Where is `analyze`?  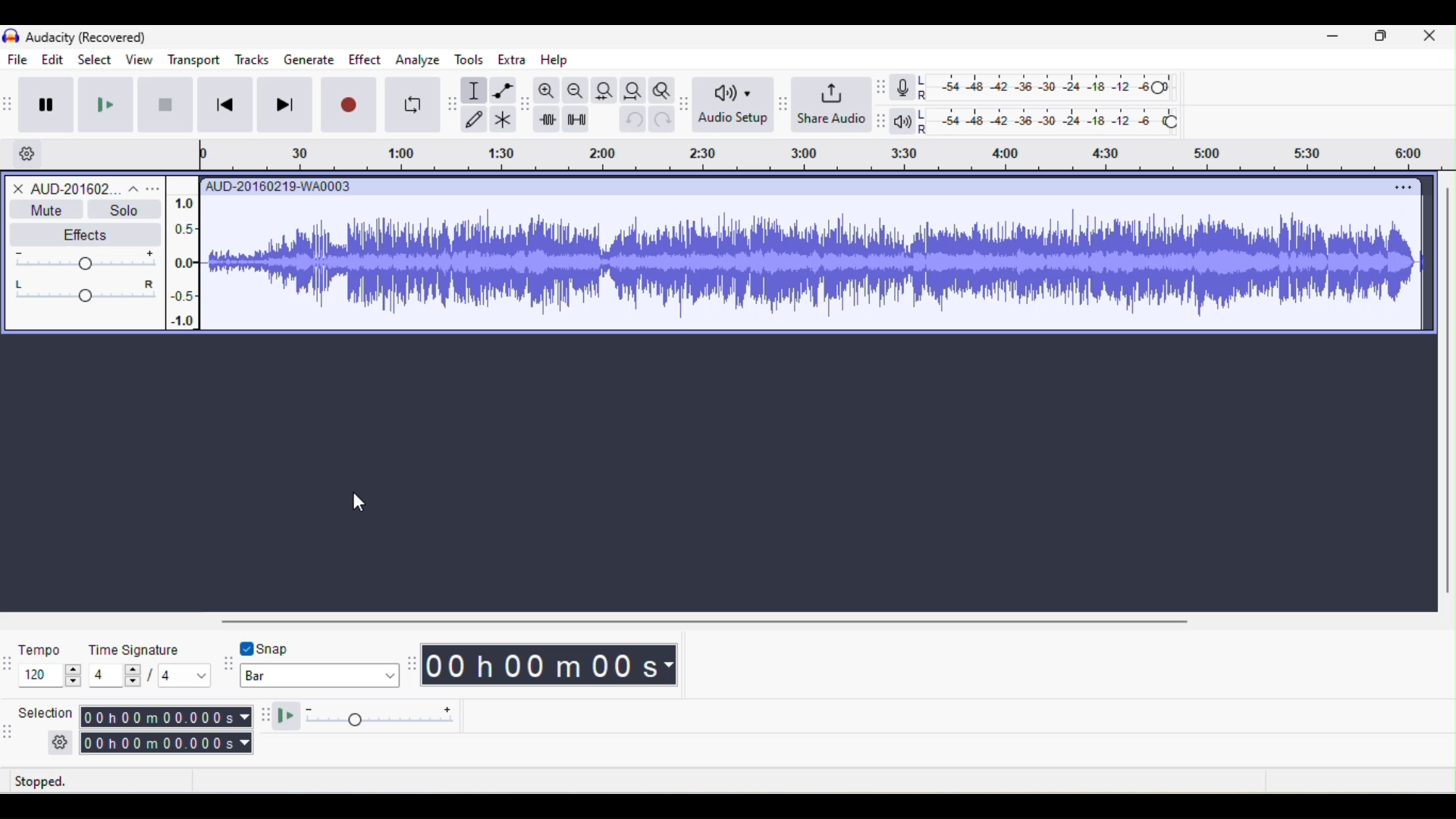 analyze is located at coordinates (417, 62).